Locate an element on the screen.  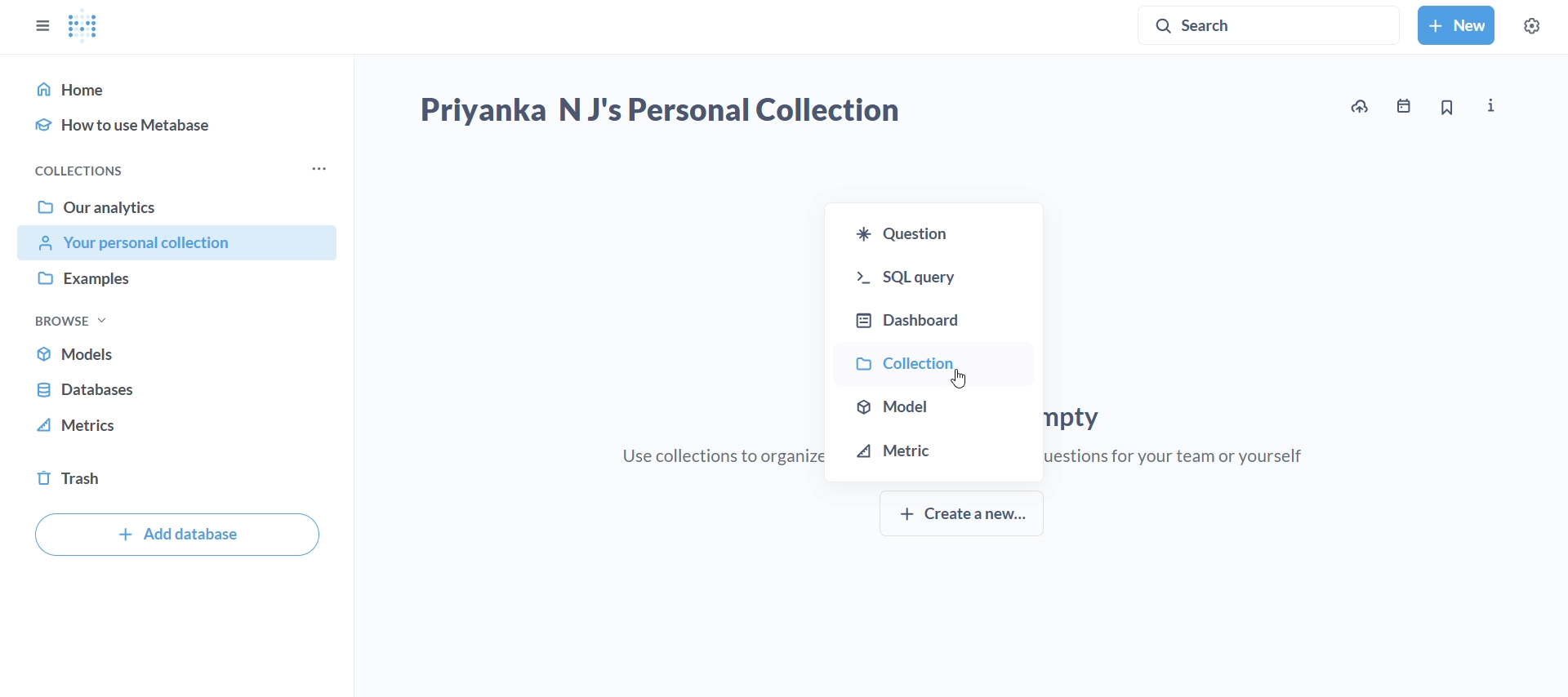
browse is located at coordinates (71, 318).